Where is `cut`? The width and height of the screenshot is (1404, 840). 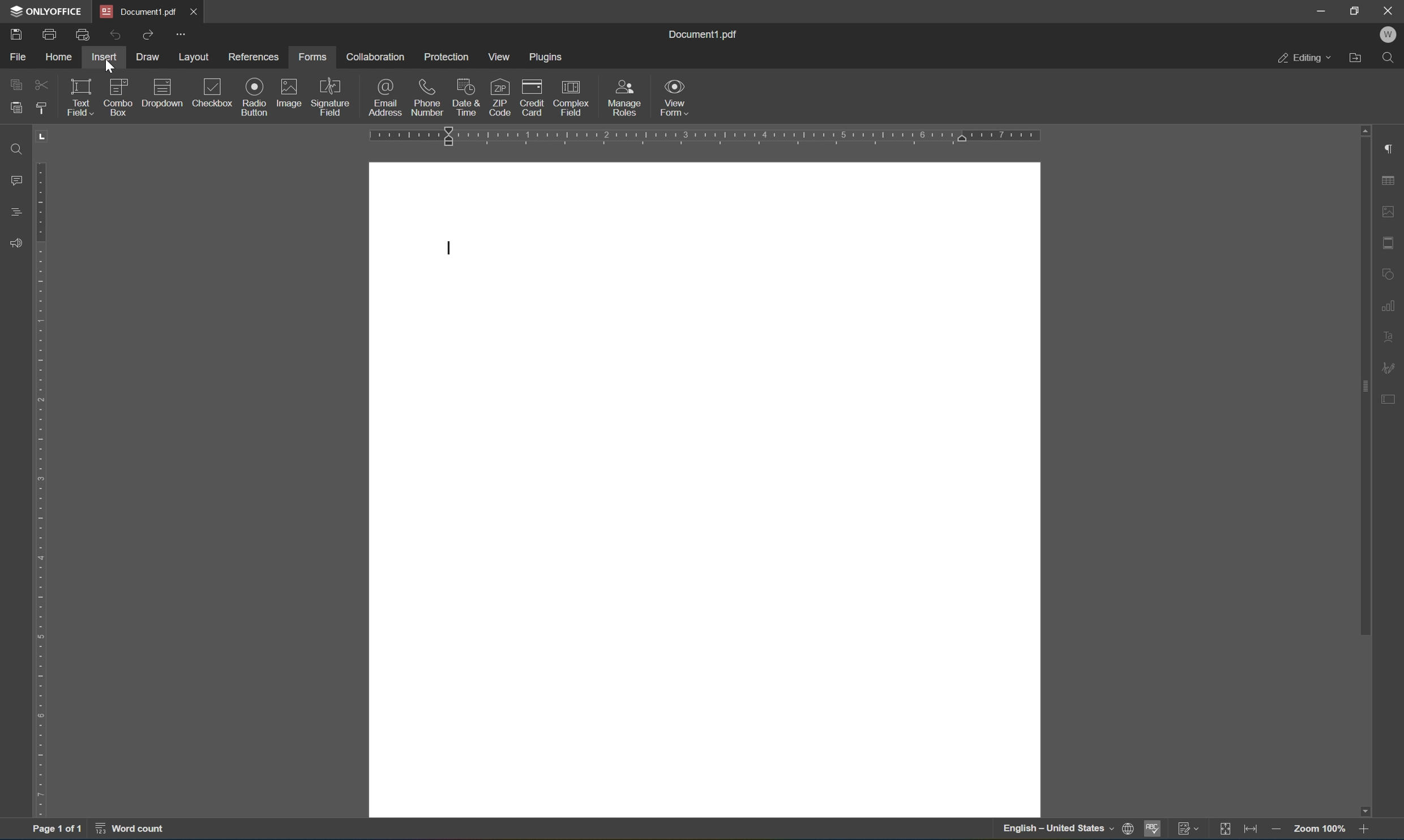 cut is located at coordinates (40, 83).